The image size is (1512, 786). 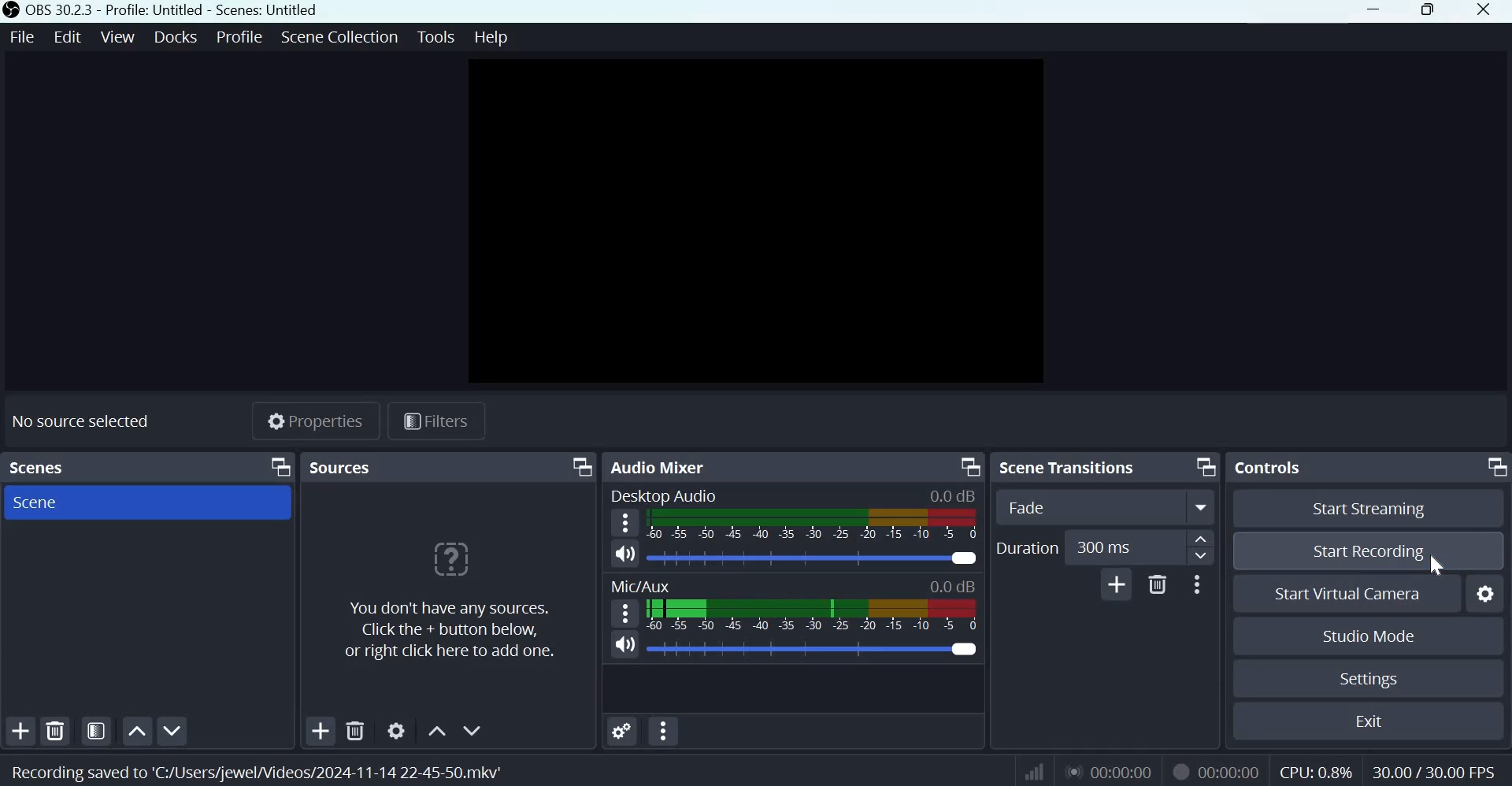 I want to click on increase, so click(x=1204, y=538).